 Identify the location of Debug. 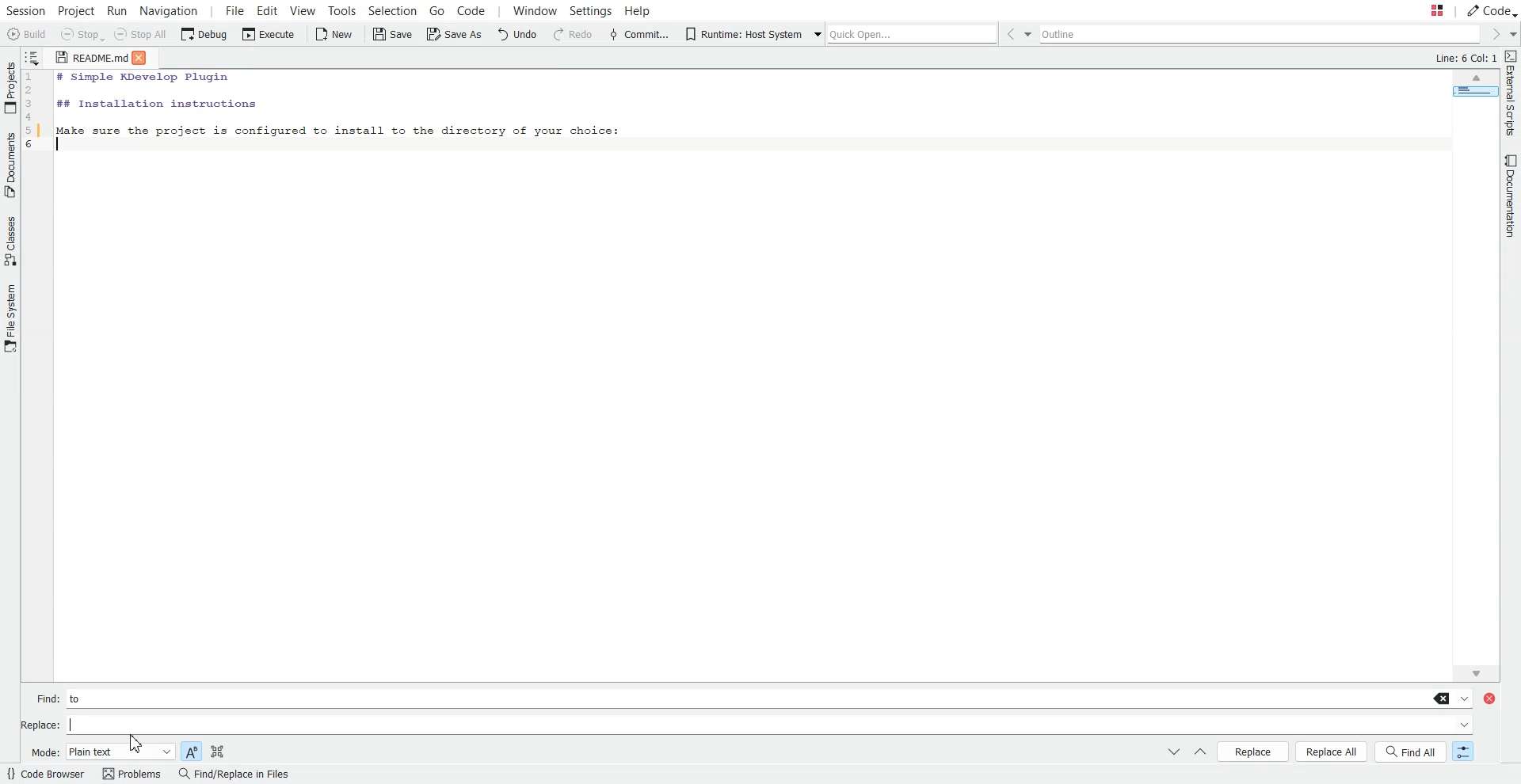
(204, 35).